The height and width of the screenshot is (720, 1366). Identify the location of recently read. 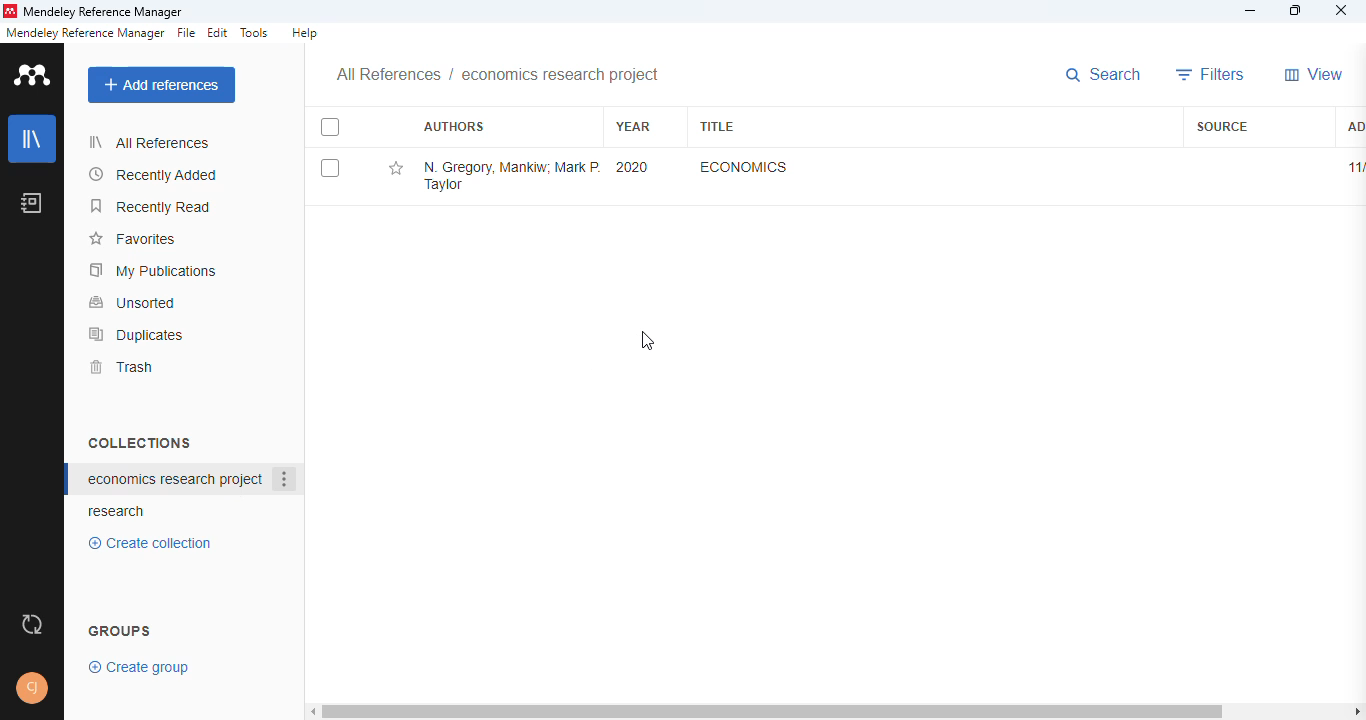
(152, 206).